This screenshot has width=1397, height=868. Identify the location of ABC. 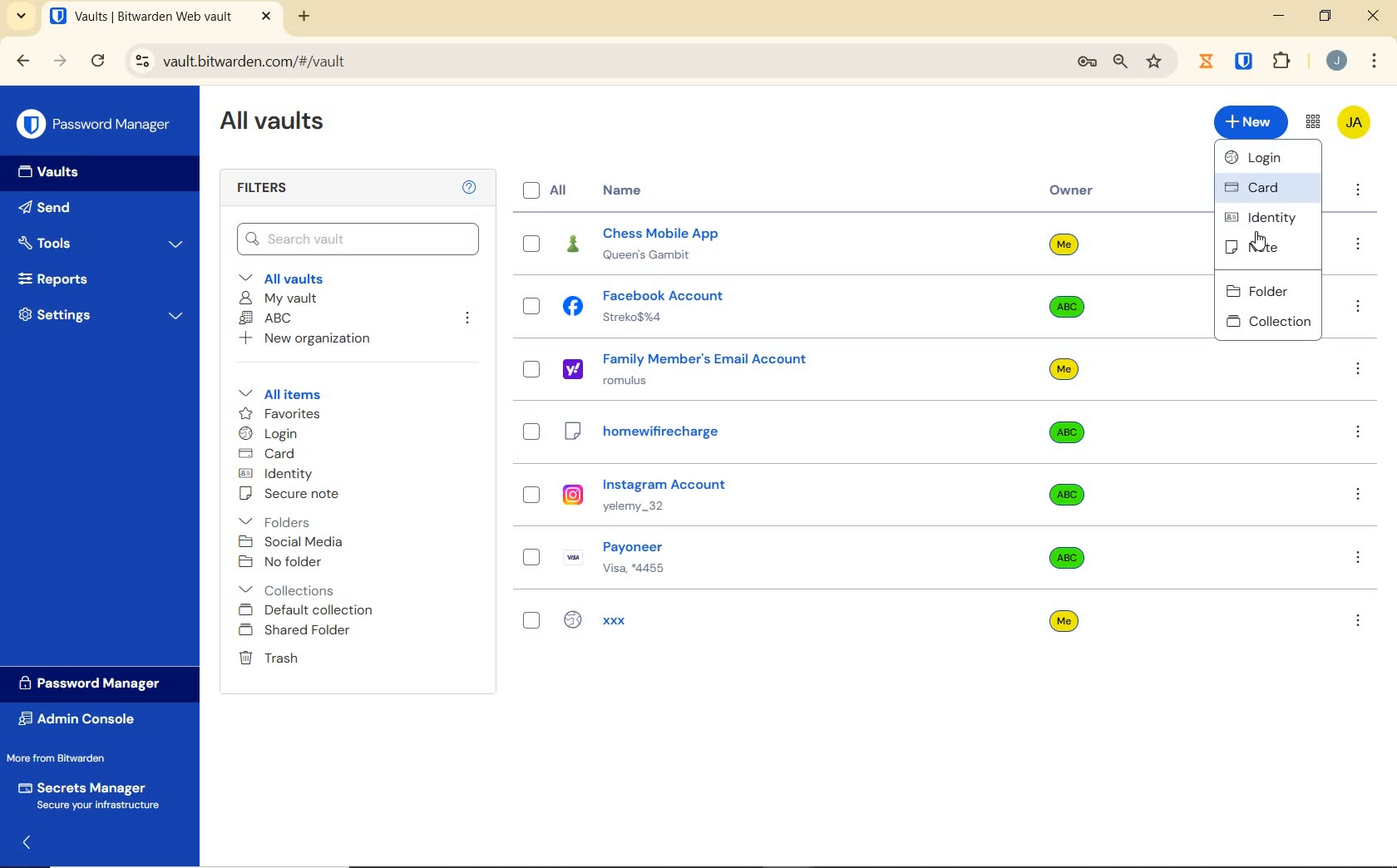
(269, 319).